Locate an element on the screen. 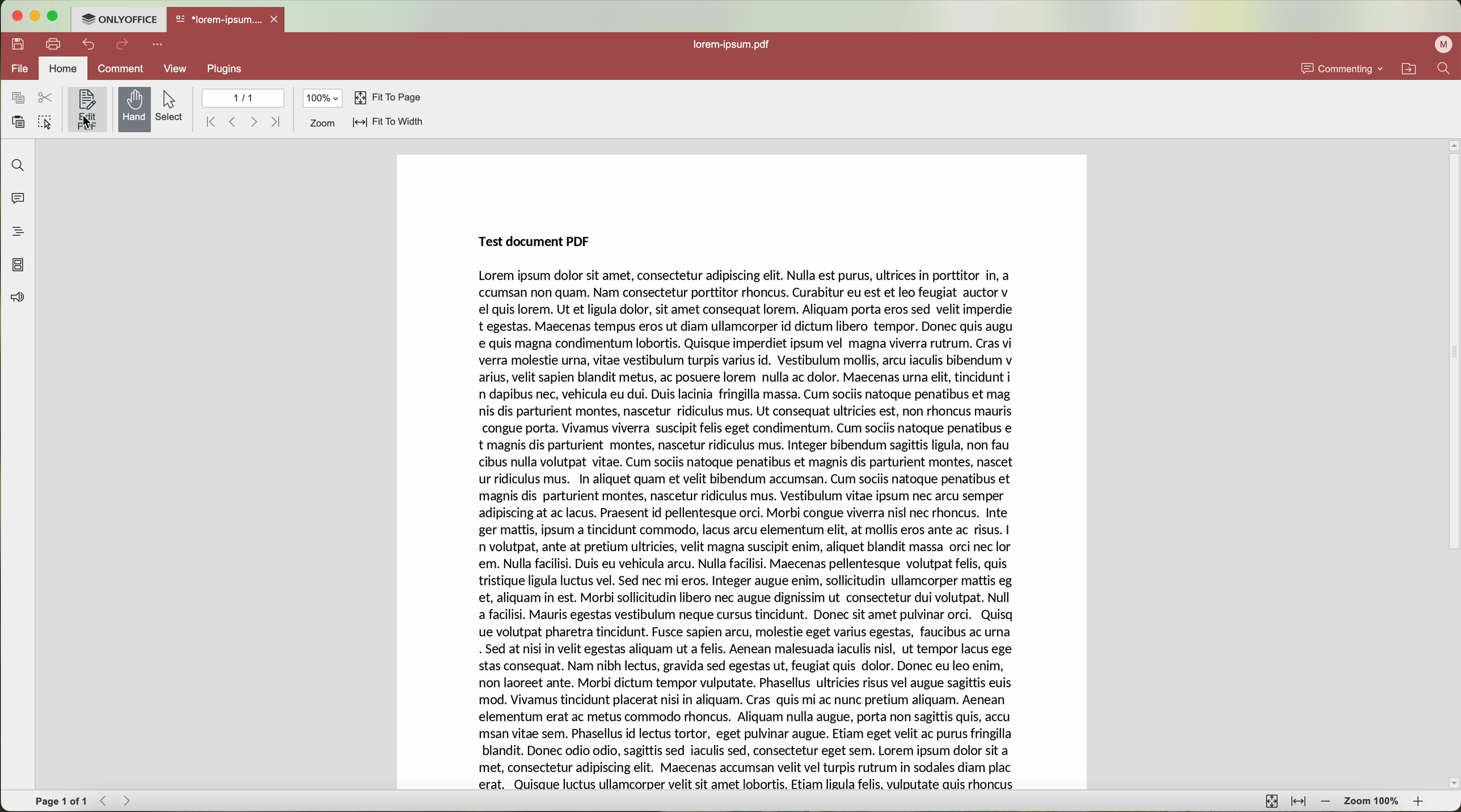 The height and width of the screenshot is (812, 1461). view is located at coordinates (174, 67).